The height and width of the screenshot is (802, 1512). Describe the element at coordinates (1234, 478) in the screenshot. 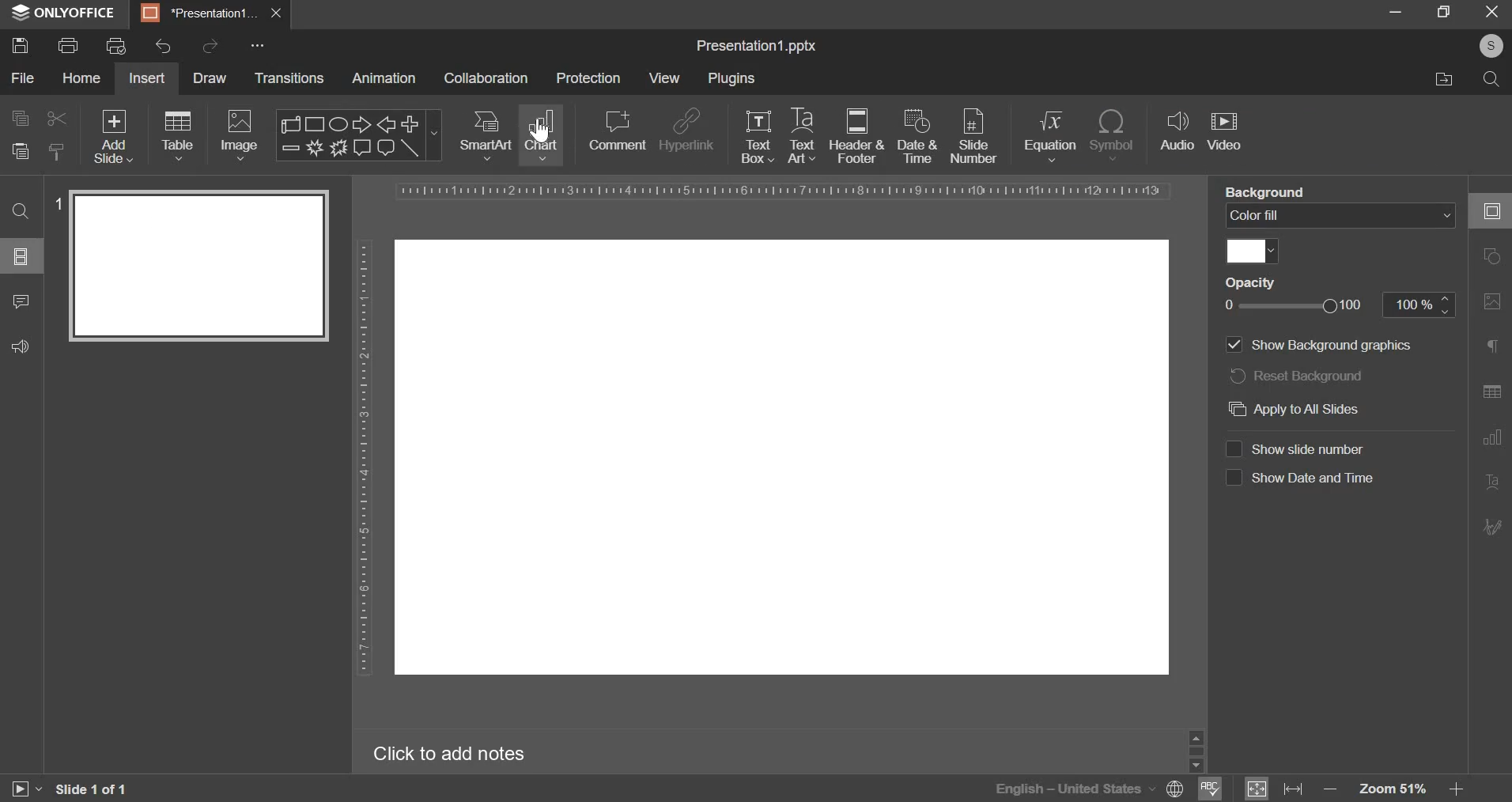

I see `check box` at that location.